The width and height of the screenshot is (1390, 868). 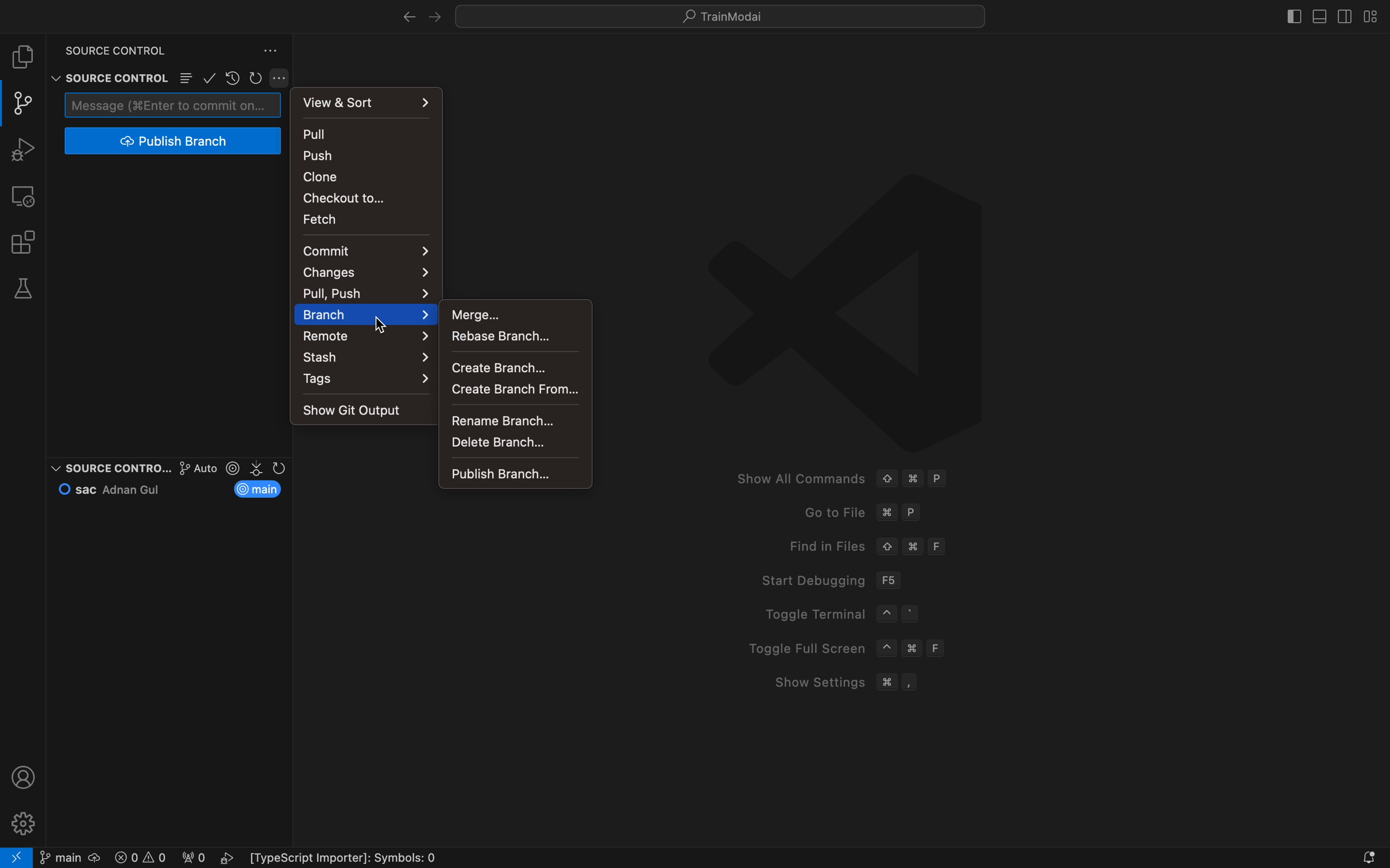 What do you see at coordinates (517, 389) in the screenshot?
I see `create branch from specific  branhc` at bounding box center [517, 389].